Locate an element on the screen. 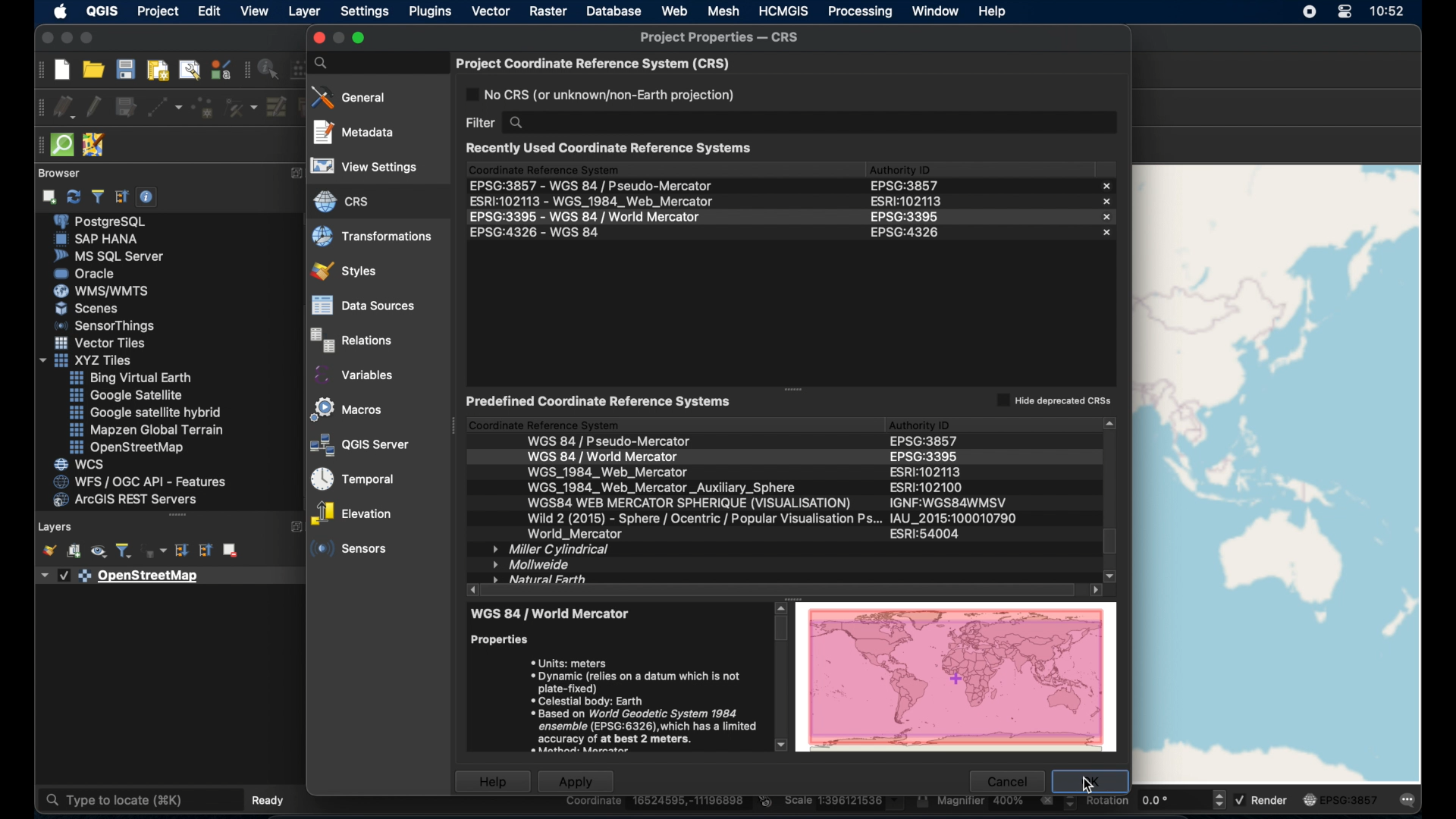 The width and height of the screenshot is (1456, 819). screen recorder is located at coordinates (1303, 13).